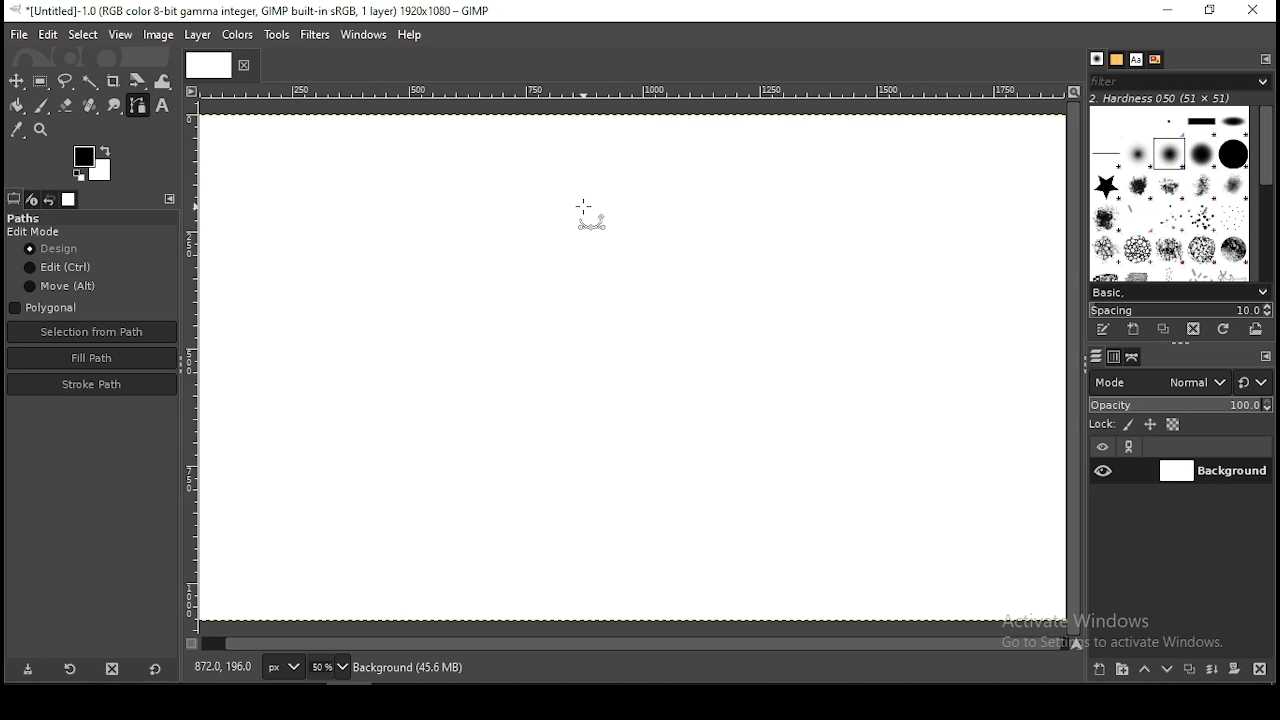  Describe the element at coordinates (66, 108) in the screenshot. I see `eraser tool` at that location.